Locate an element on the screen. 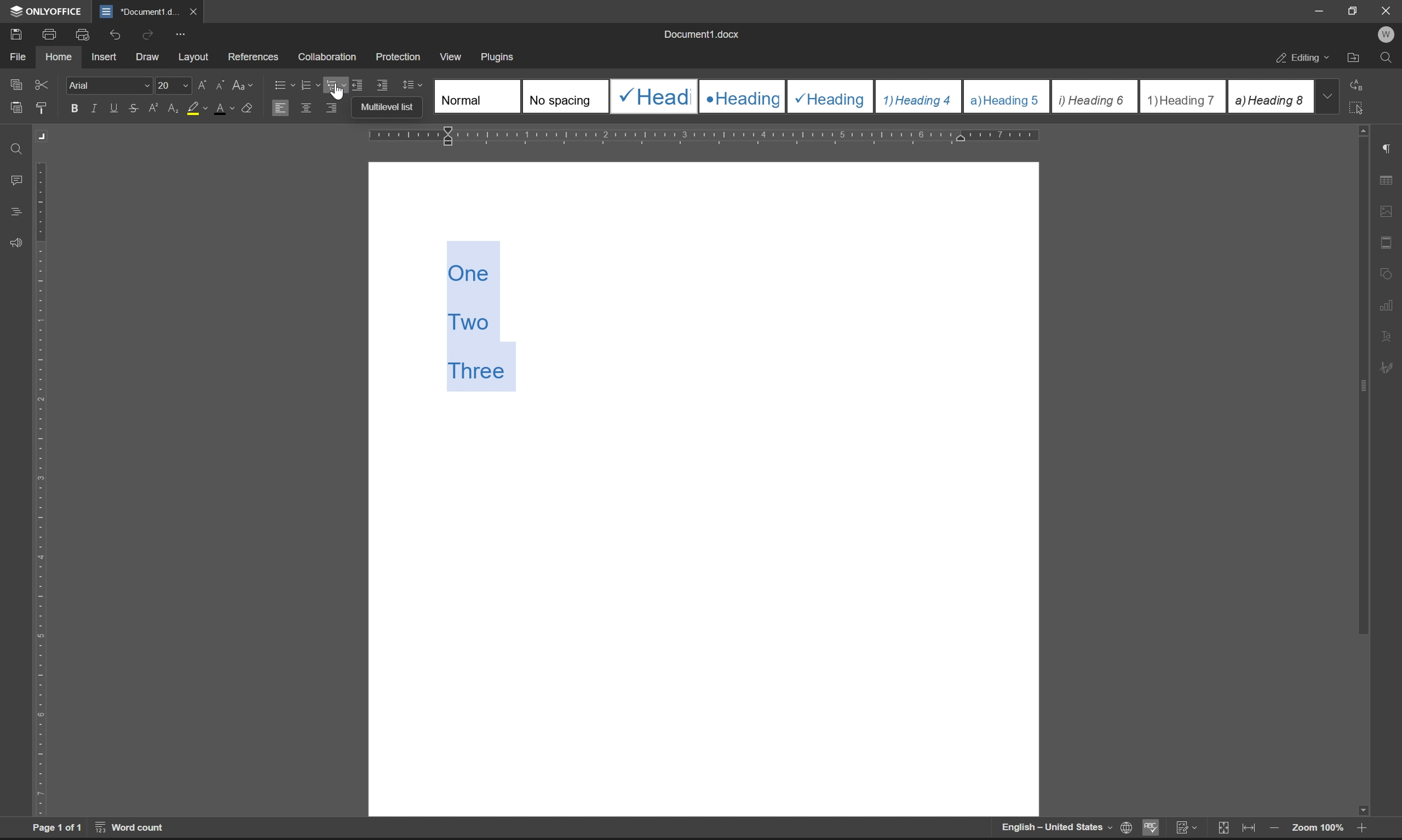 The height and width of the screenshot is (840, 1402). close is located at coordinates (192, 11).